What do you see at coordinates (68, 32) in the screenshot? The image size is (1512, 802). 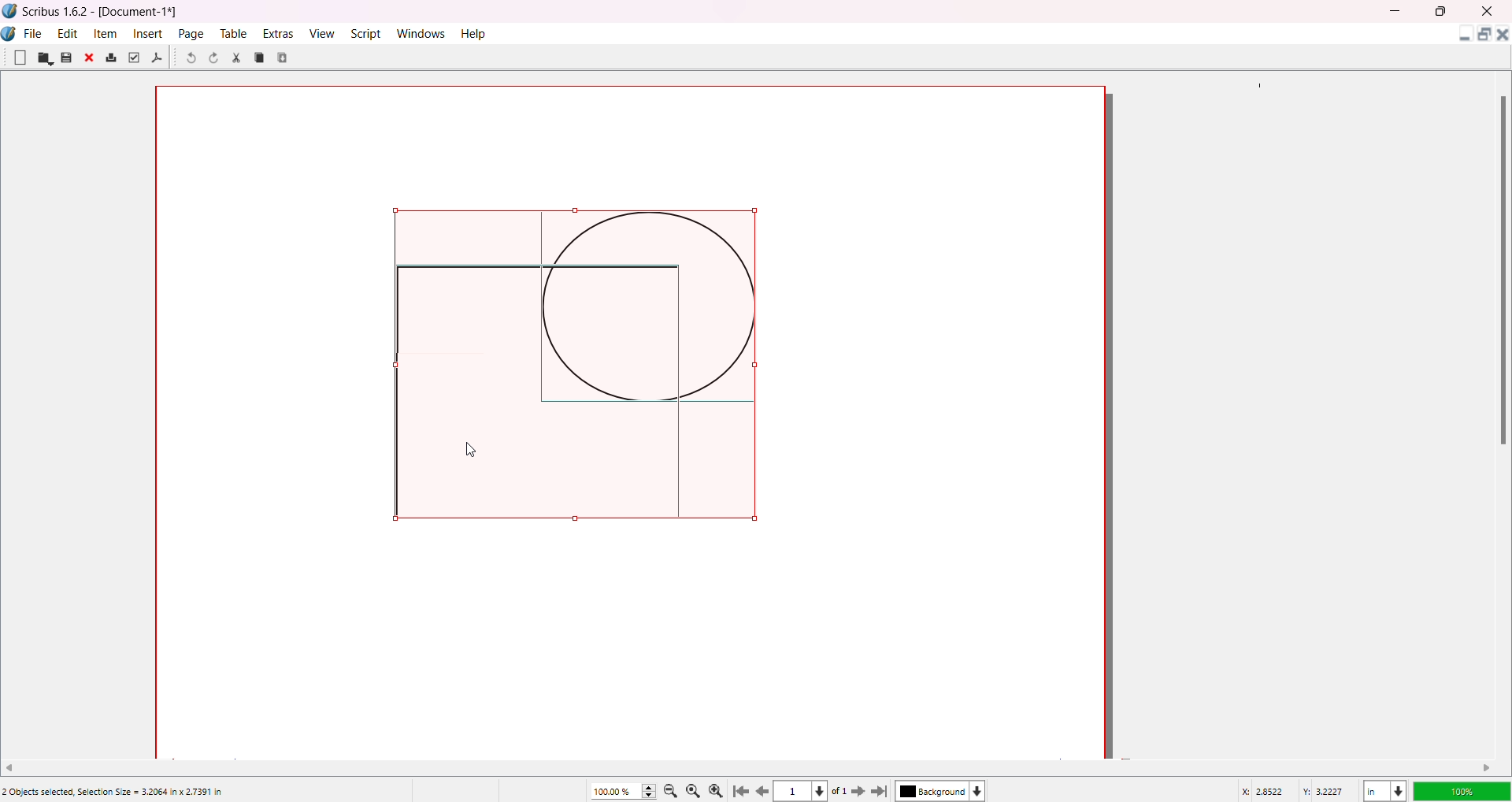 I see `Edit` at bounding box center [68, 32].